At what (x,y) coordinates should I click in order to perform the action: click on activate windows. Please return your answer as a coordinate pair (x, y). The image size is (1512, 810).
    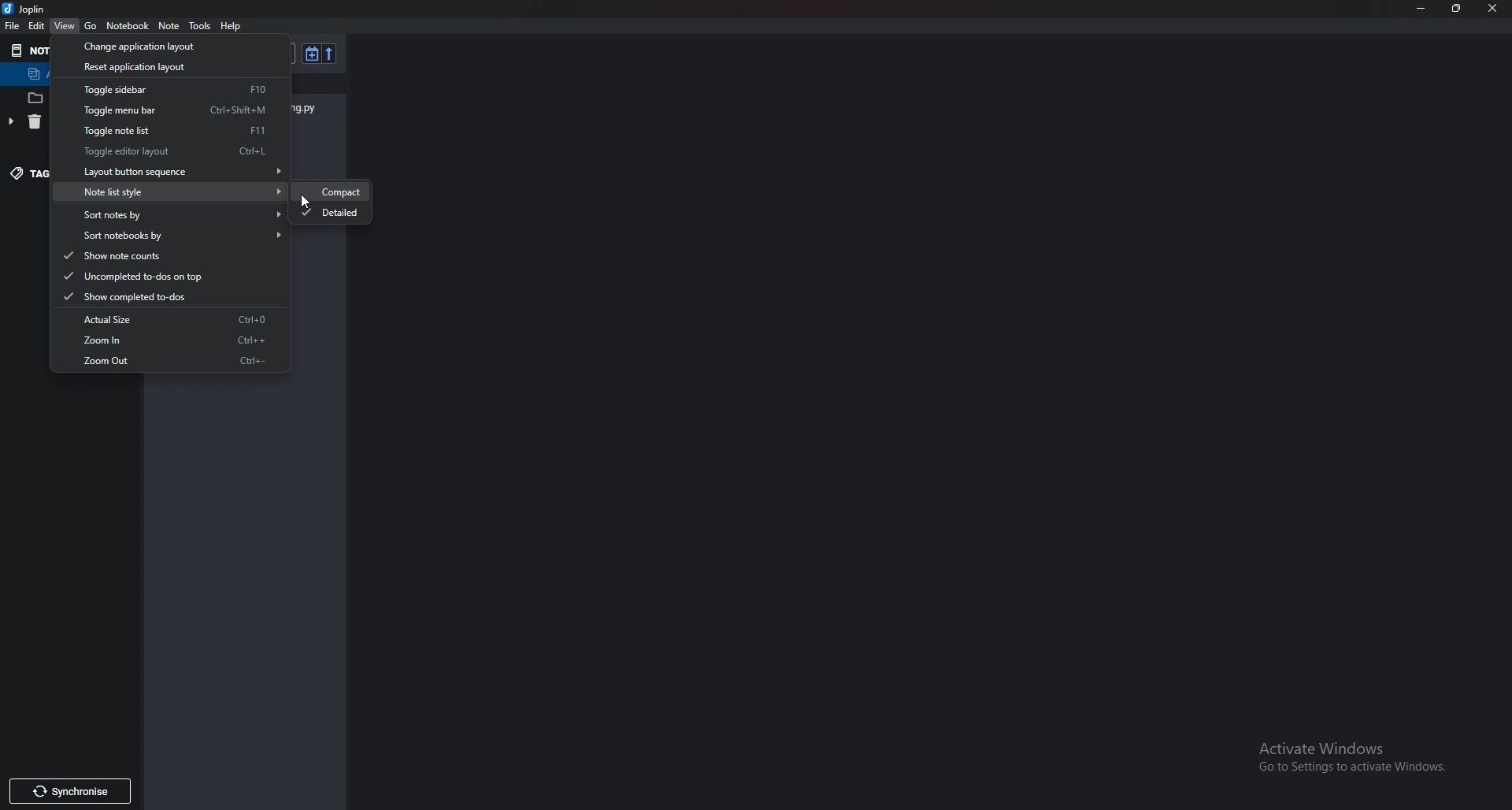
    Looking at the image, I should click on (1356, 760).